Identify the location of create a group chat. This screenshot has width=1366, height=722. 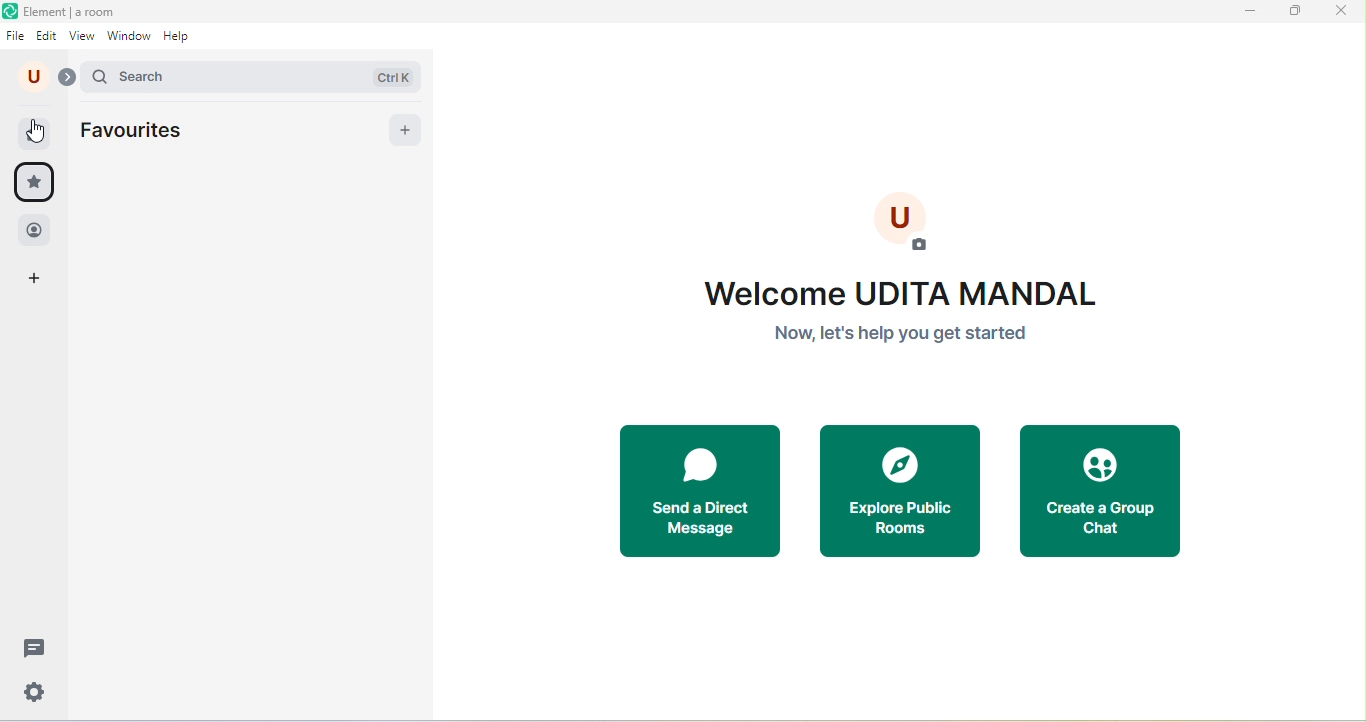
(1102, 495).